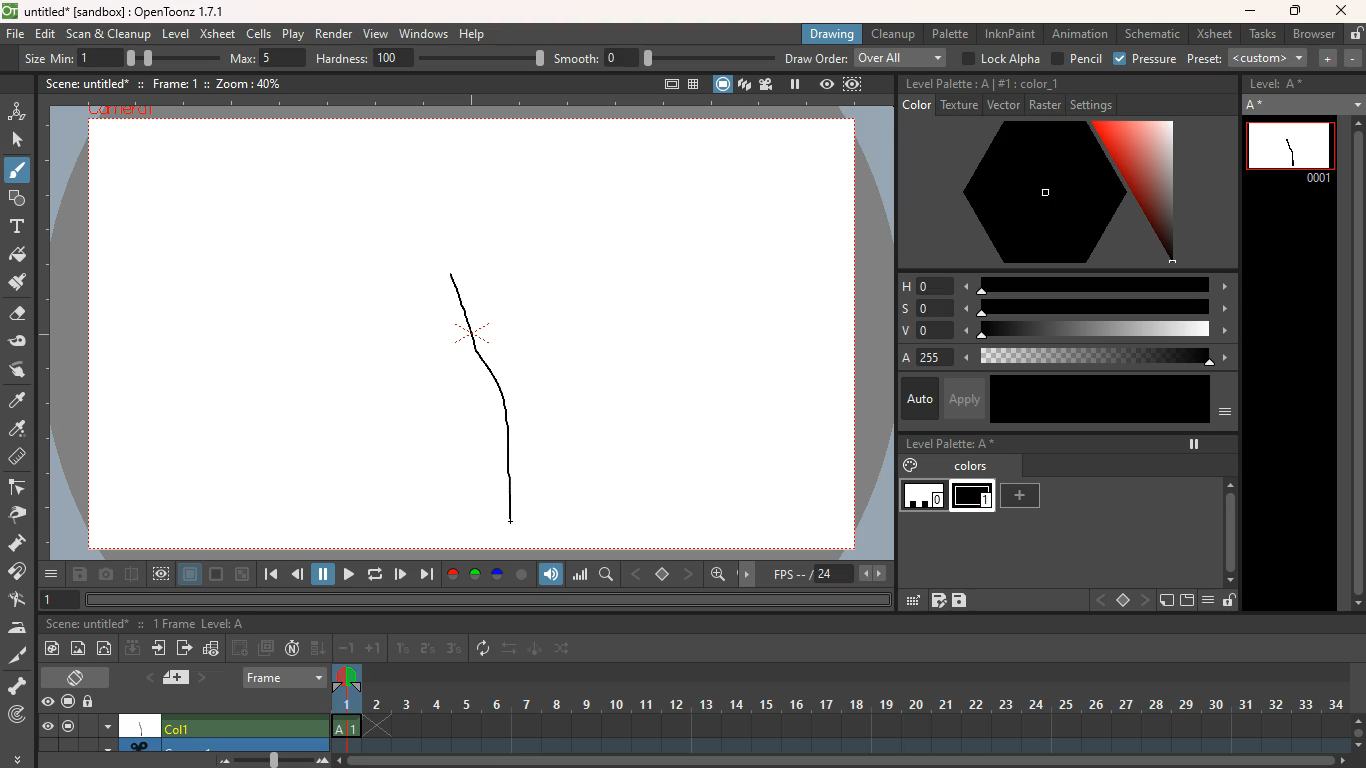 This screenshot has height=768, width=1366. What do you see at coordinates (1100, 308) in the screenshot?
I see `scale` at bounding box center [1100, 308].